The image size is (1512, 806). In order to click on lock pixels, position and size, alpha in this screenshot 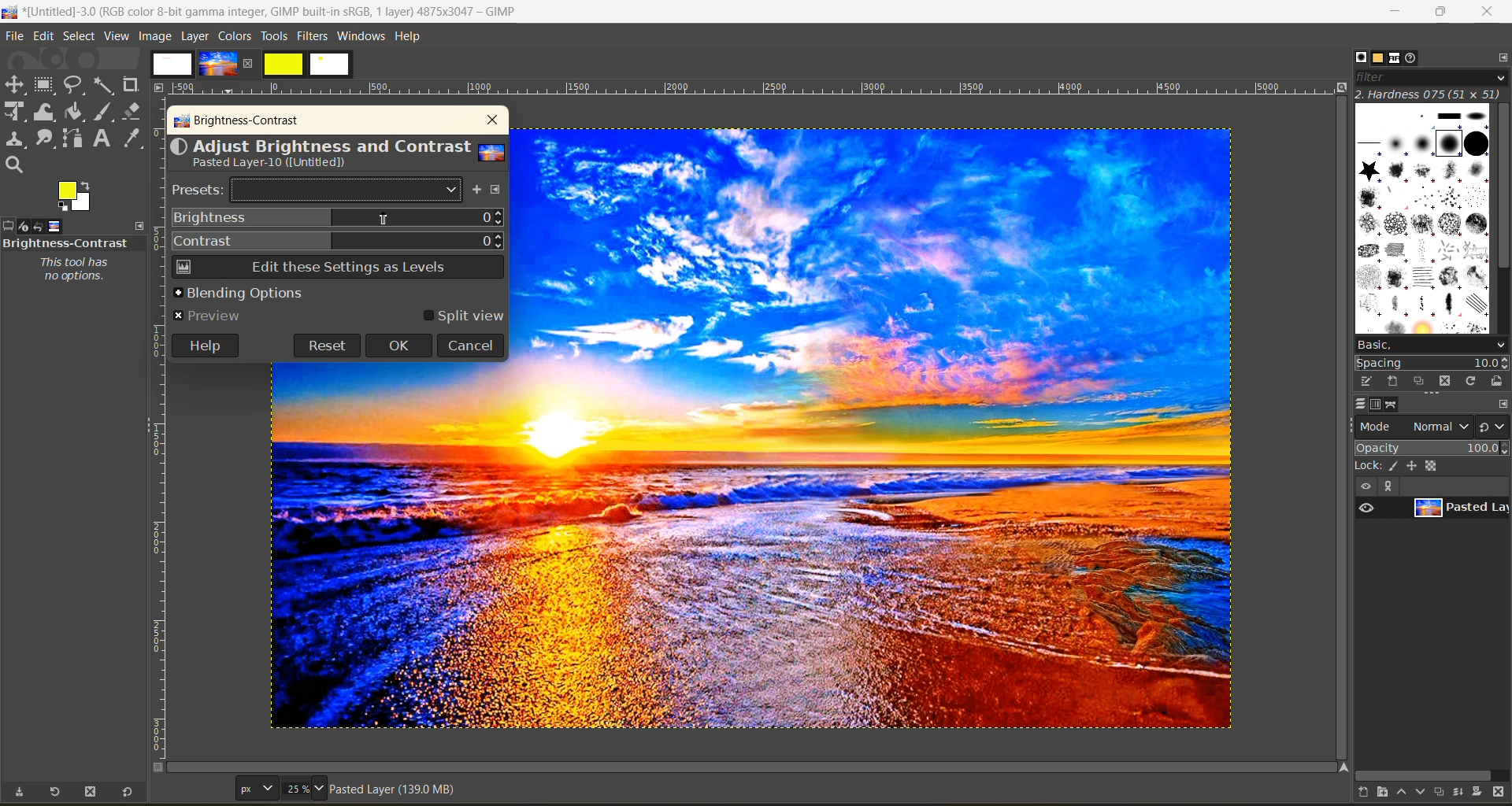, I will do `click(1431, 465)`.